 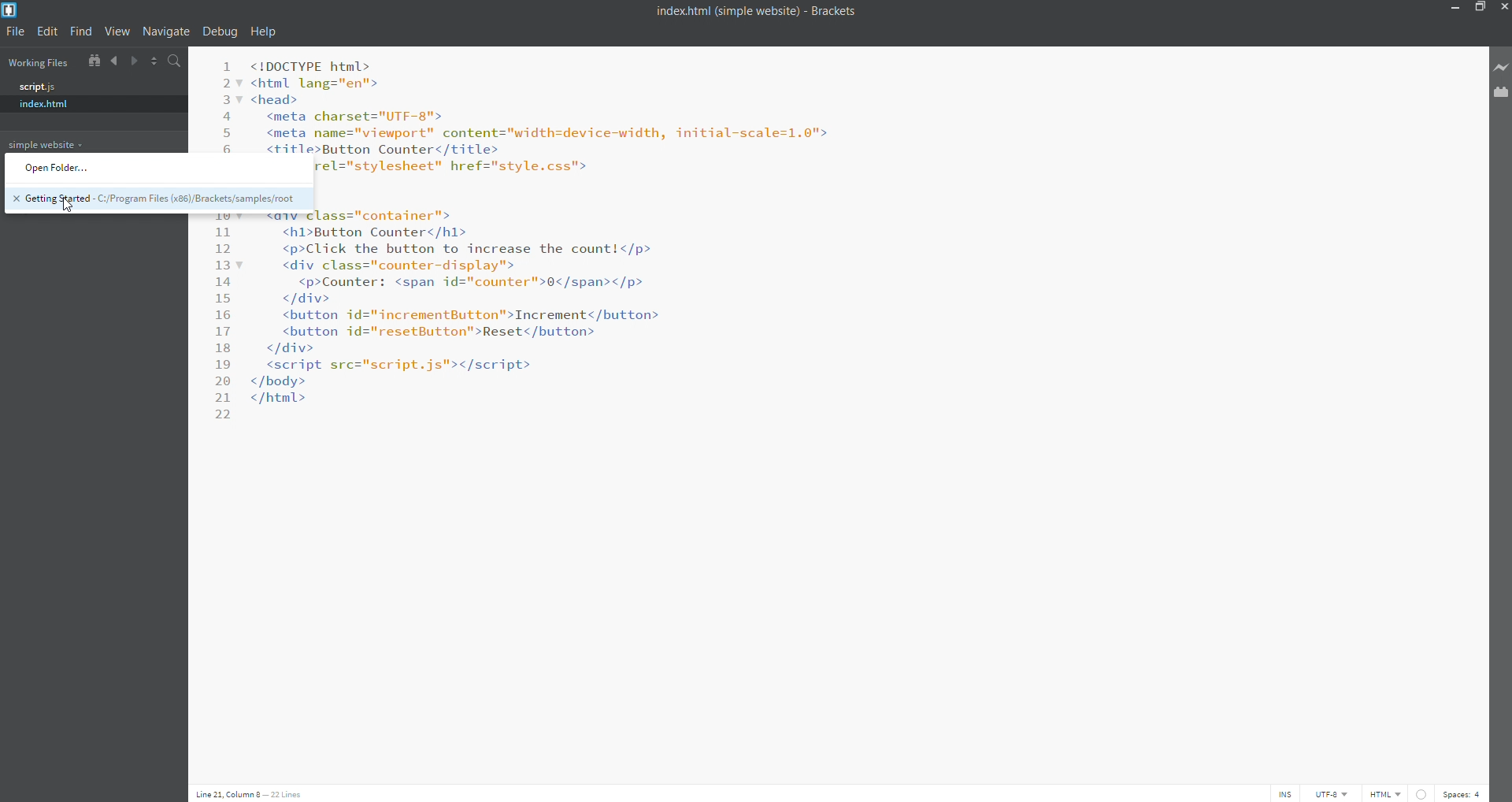 I want to click on navigate backward, so click(x=113, y=62).